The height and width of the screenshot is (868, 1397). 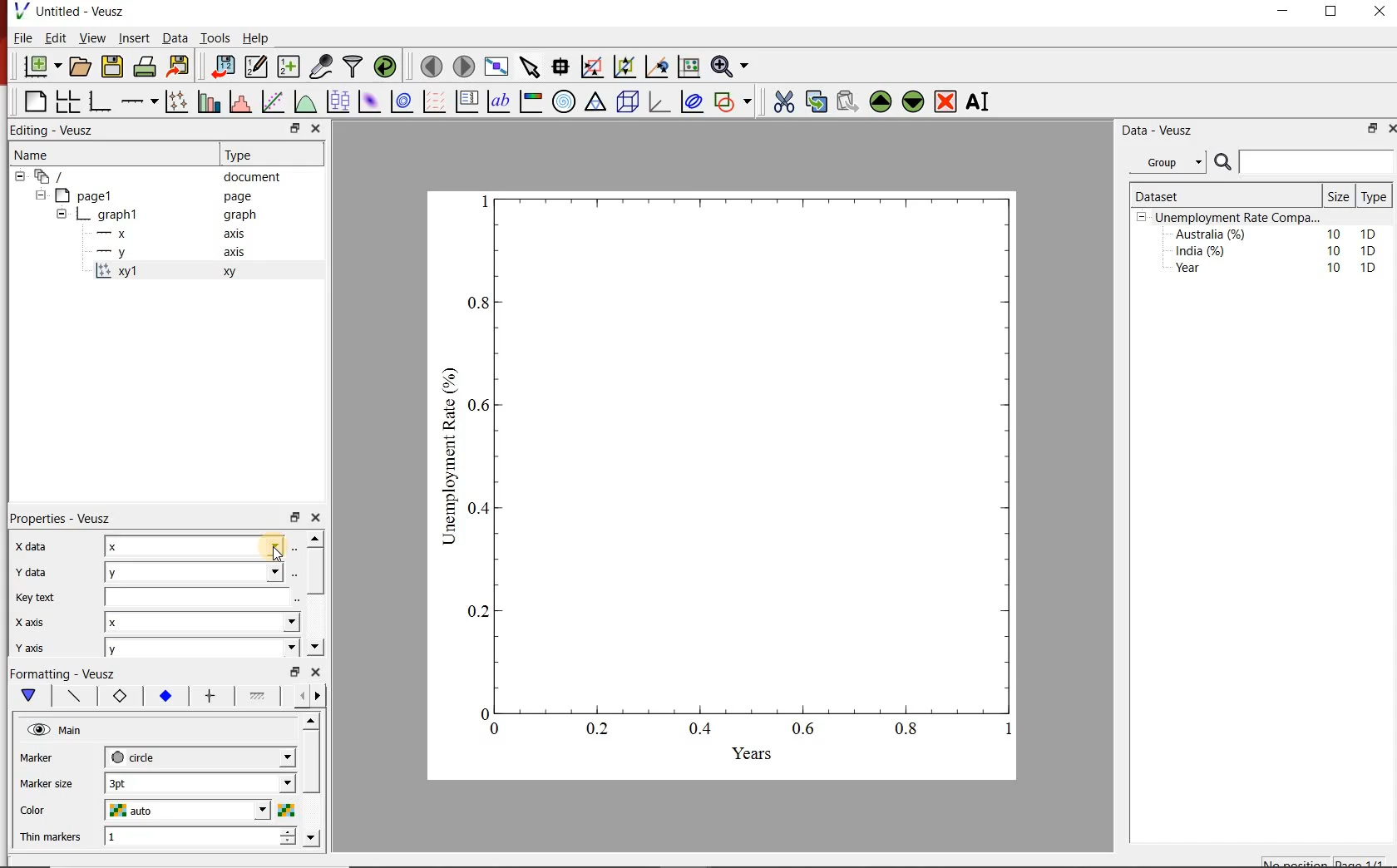 I want to click on click to zoom out graph axes, so click(x=625, y=65).